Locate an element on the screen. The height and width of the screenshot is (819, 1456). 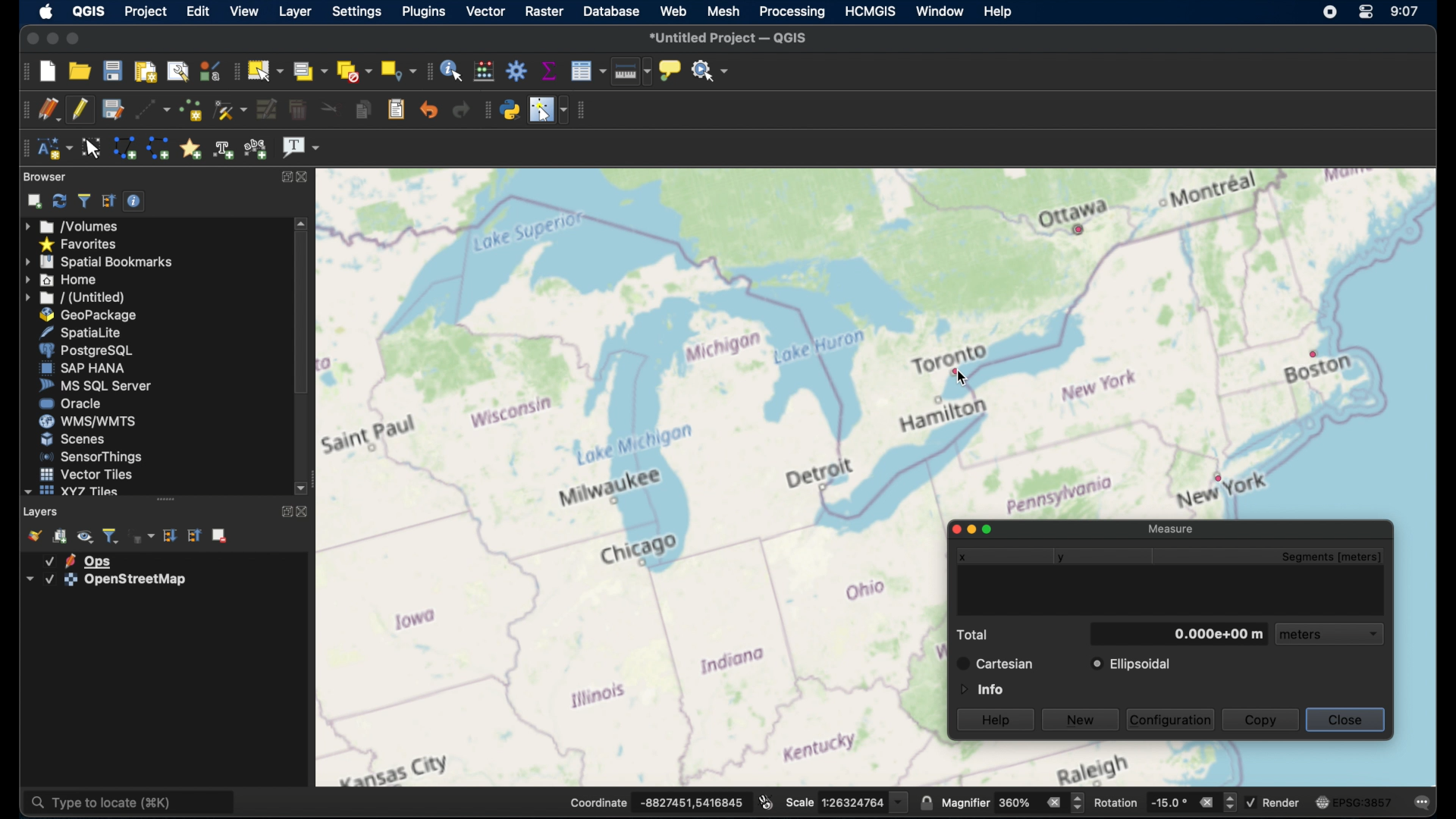
filter legend by expression is located at coordinates (143, 538).